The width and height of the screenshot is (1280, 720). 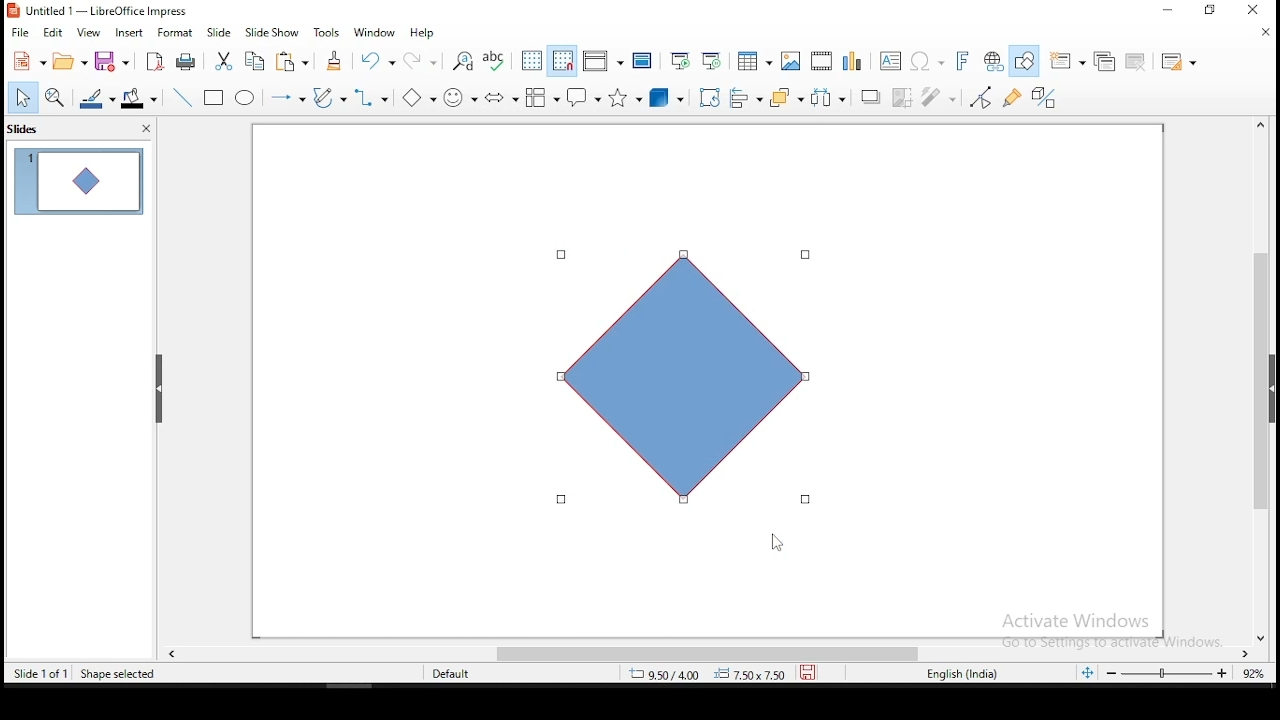 I want to click on connectors, so click(x=373, y=99).